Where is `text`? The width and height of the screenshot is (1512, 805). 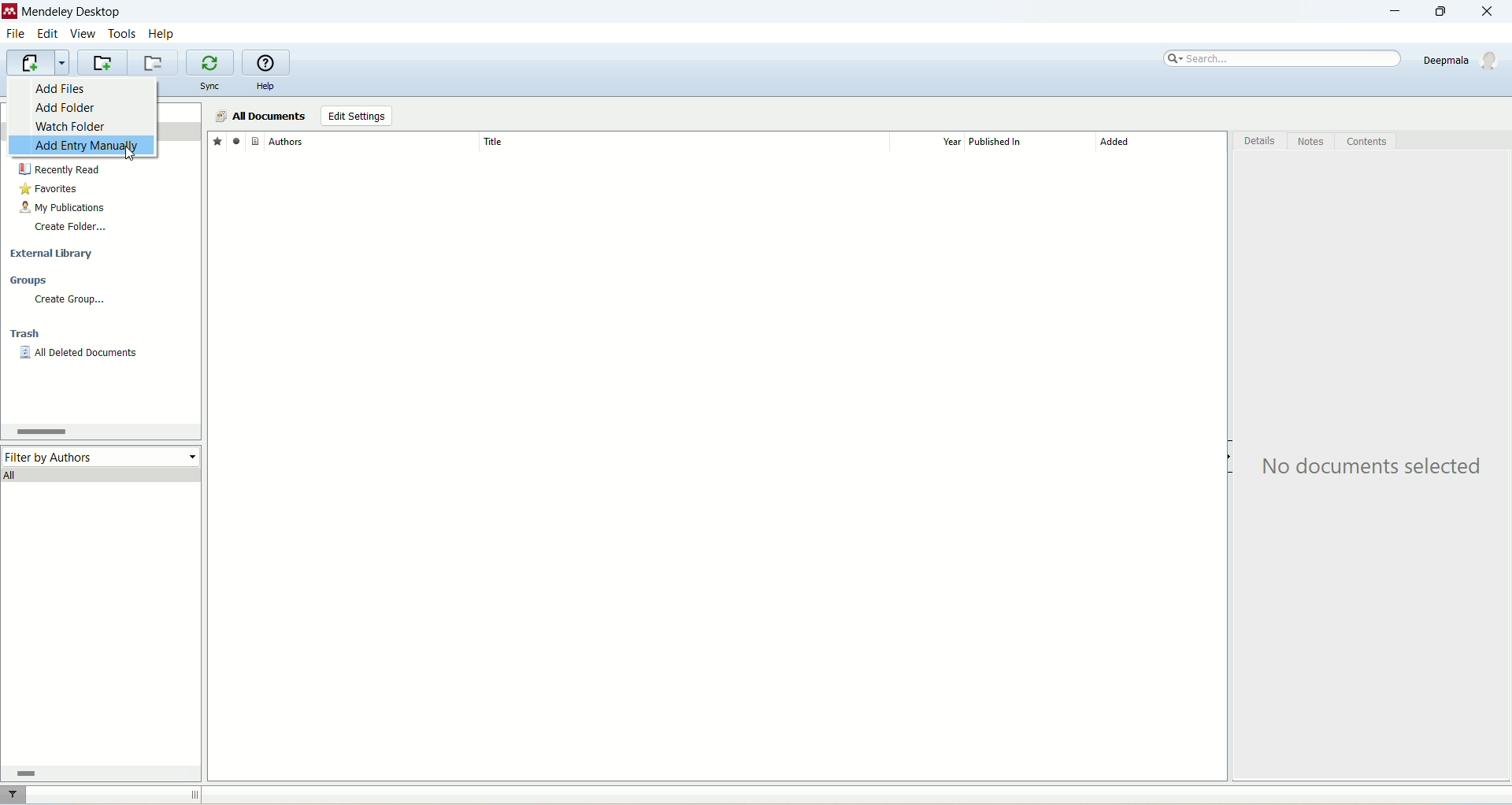 text is located at coordinates (1376, 467).